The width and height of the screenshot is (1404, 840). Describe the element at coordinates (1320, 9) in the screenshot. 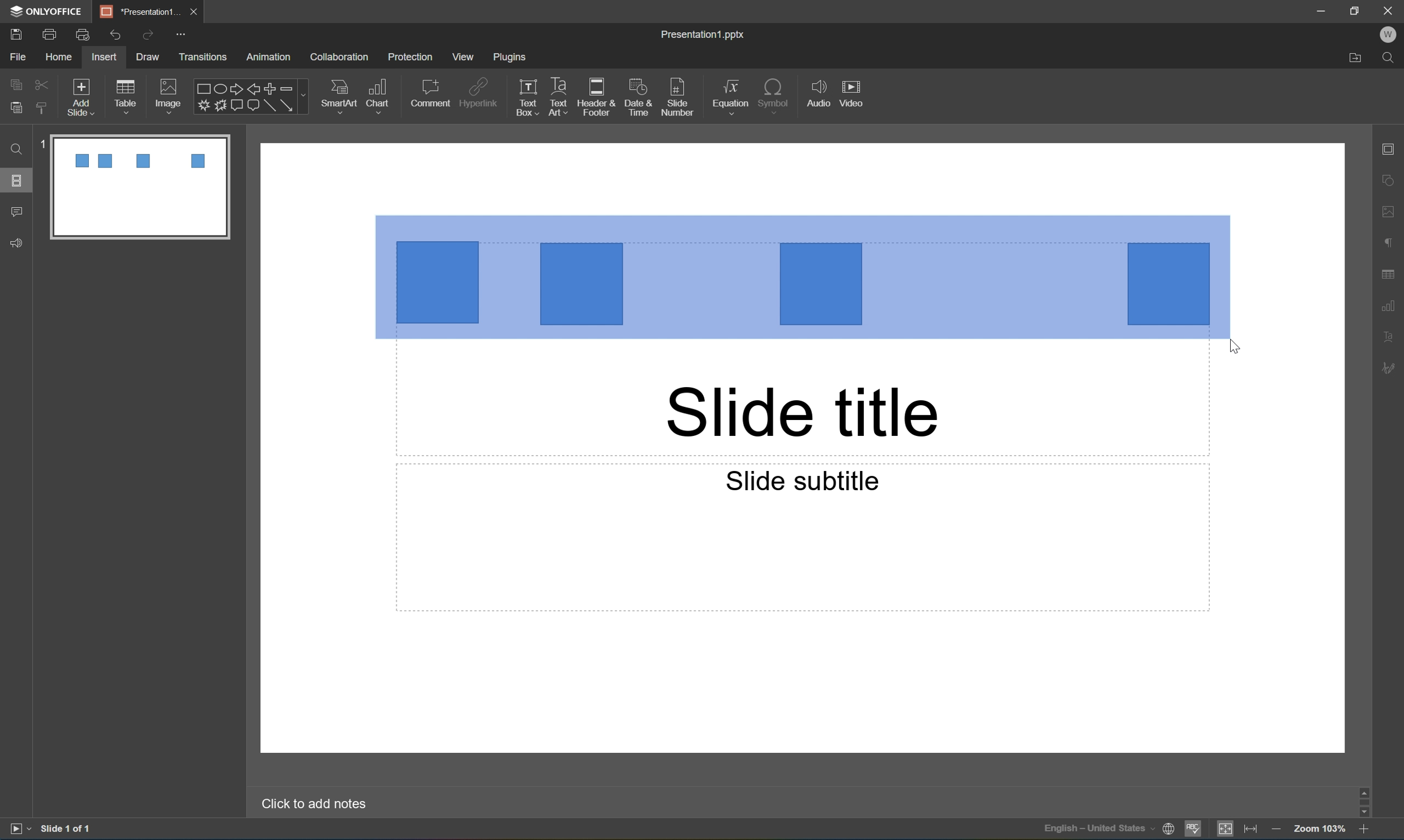

I see `minimize` at that location.